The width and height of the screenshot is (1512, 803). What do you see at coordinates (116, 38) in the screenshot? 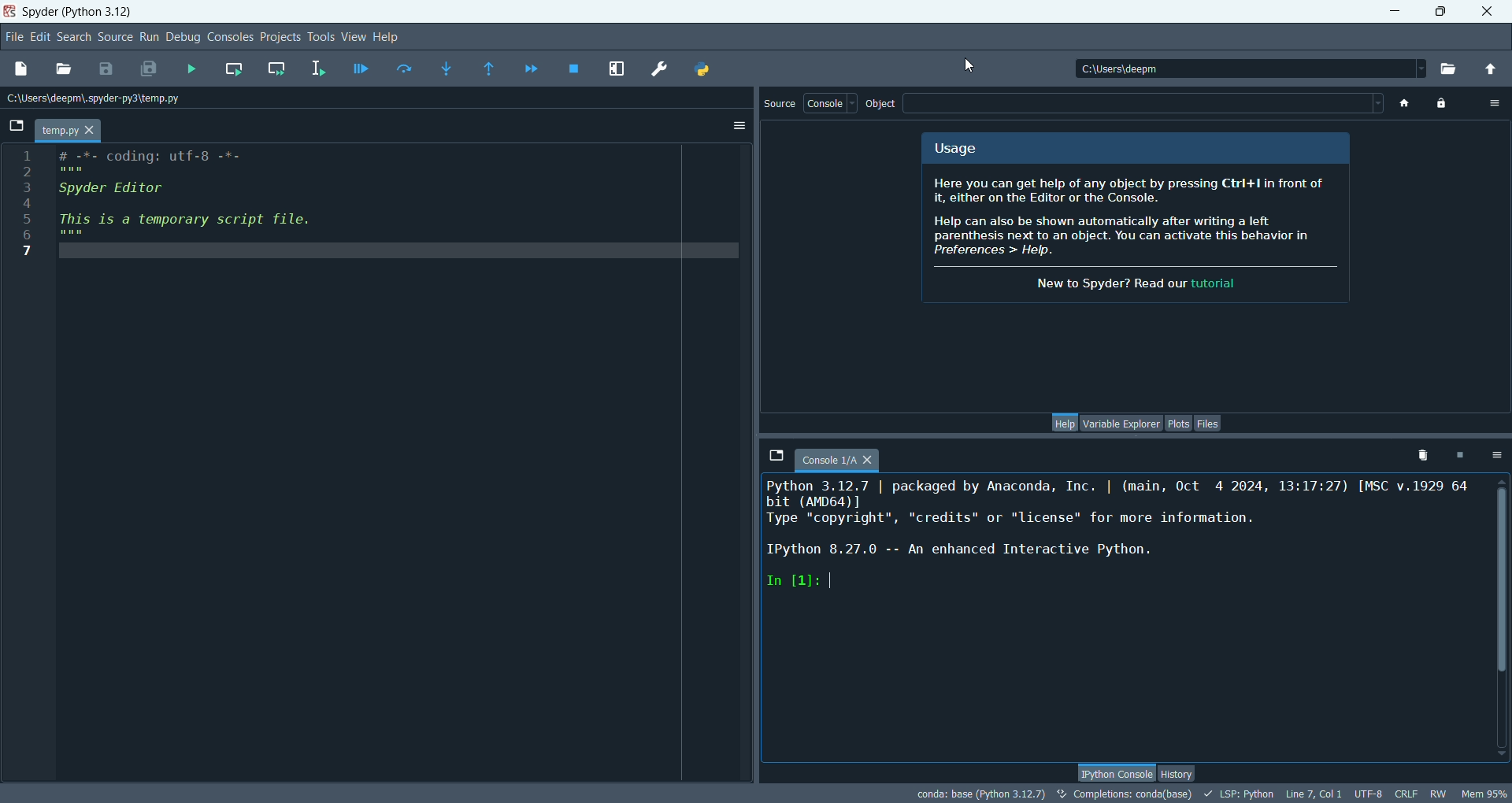
I see `sources` at bounding box center [116, 38].